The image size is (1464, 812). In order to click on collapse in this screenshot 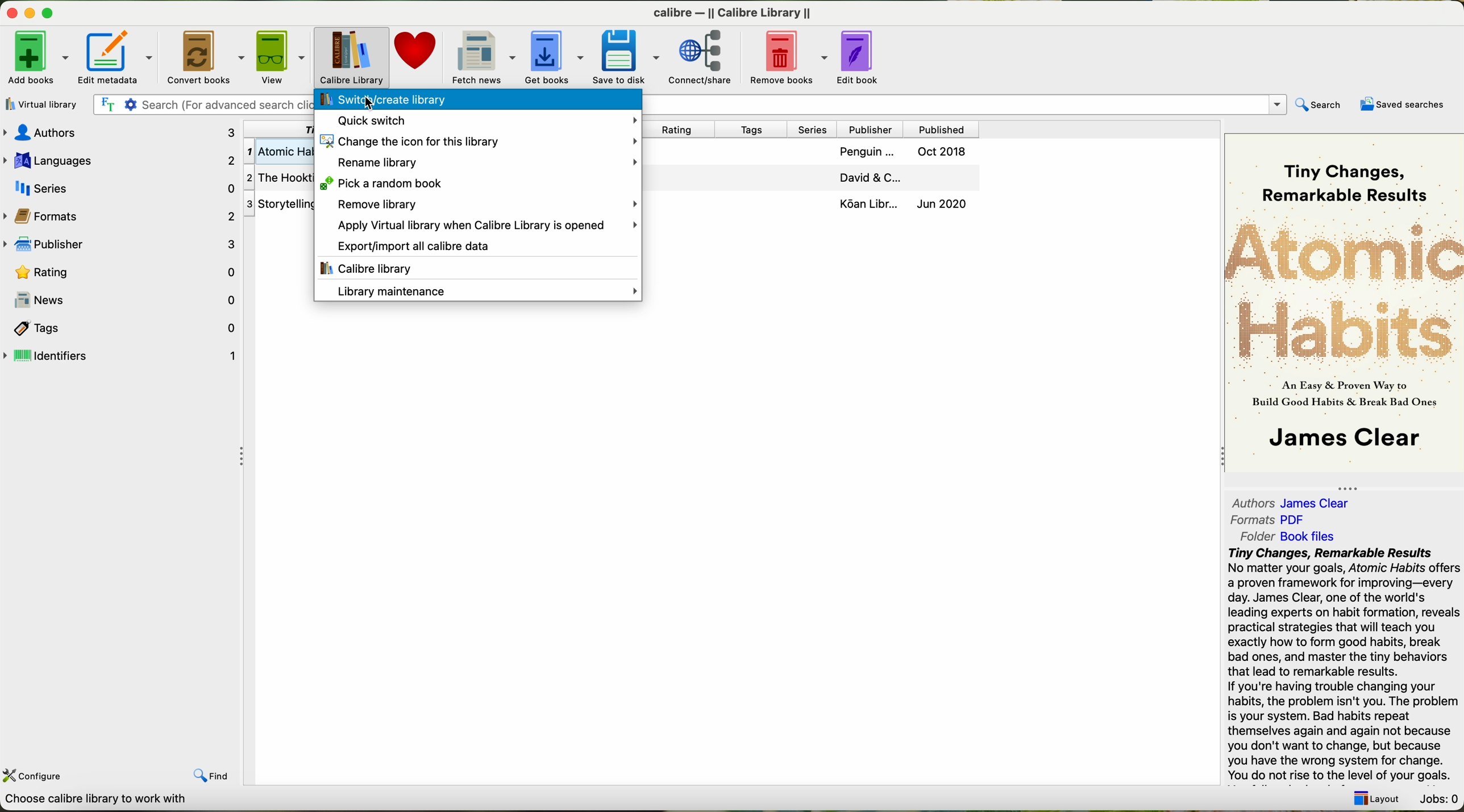, I will do `click(241, 459)`.